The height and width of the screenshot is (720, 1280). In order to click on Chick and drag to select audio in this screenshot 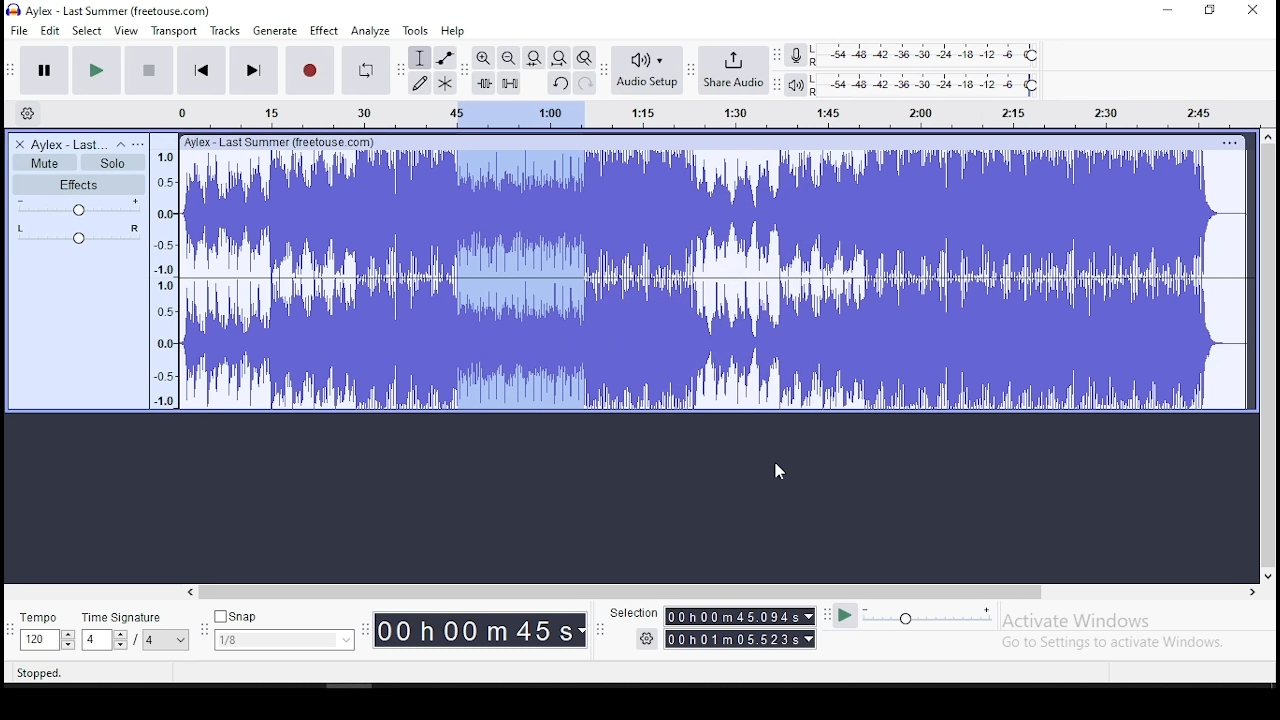, I will do `click(250, 675)`.